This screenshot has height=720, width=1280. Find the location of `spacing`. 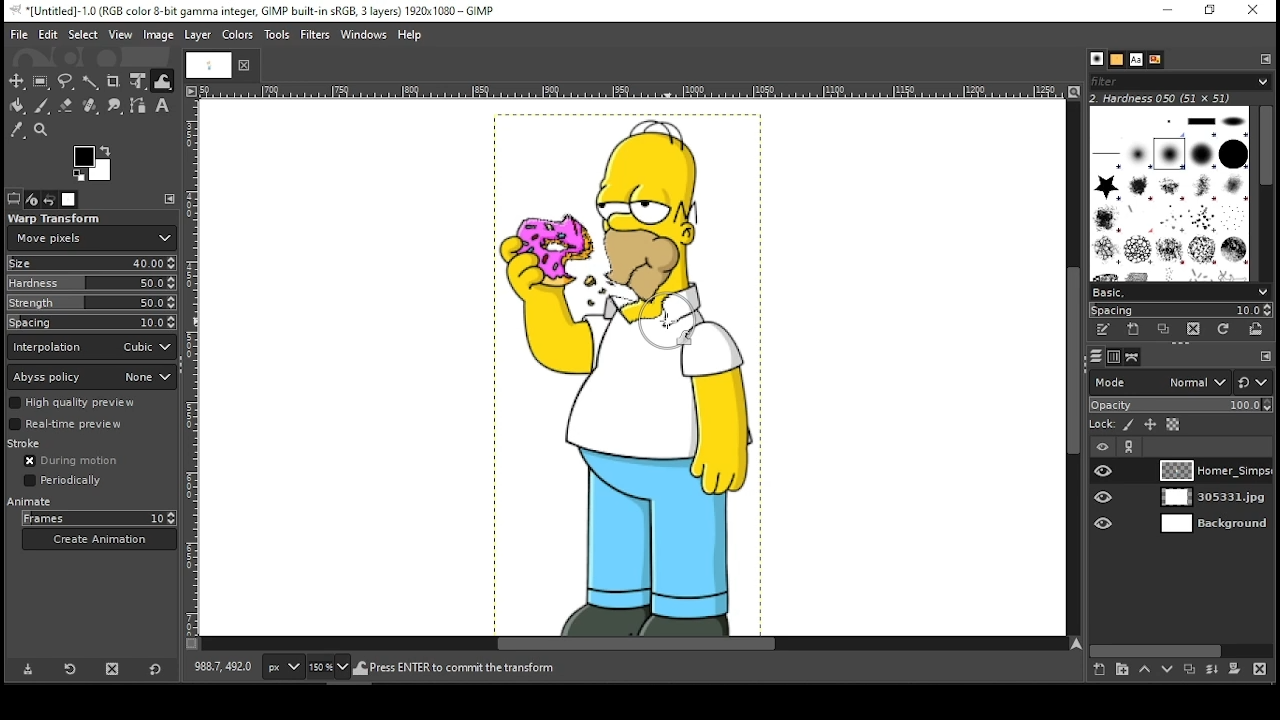

spacing is located at coordinates (93, 321).